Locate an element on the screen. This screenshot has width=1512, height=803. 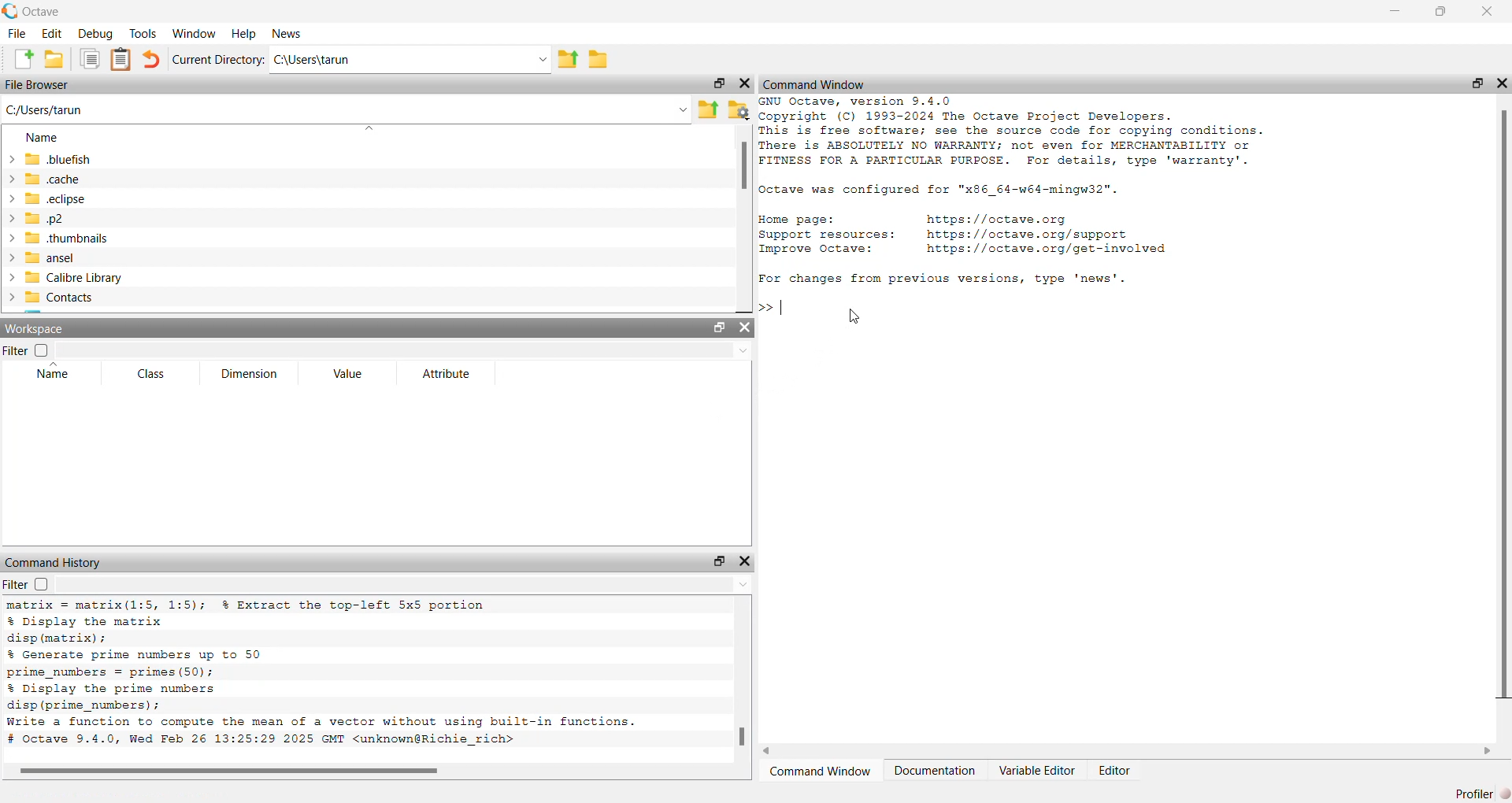
attribute is located at coordinates (447, 374).